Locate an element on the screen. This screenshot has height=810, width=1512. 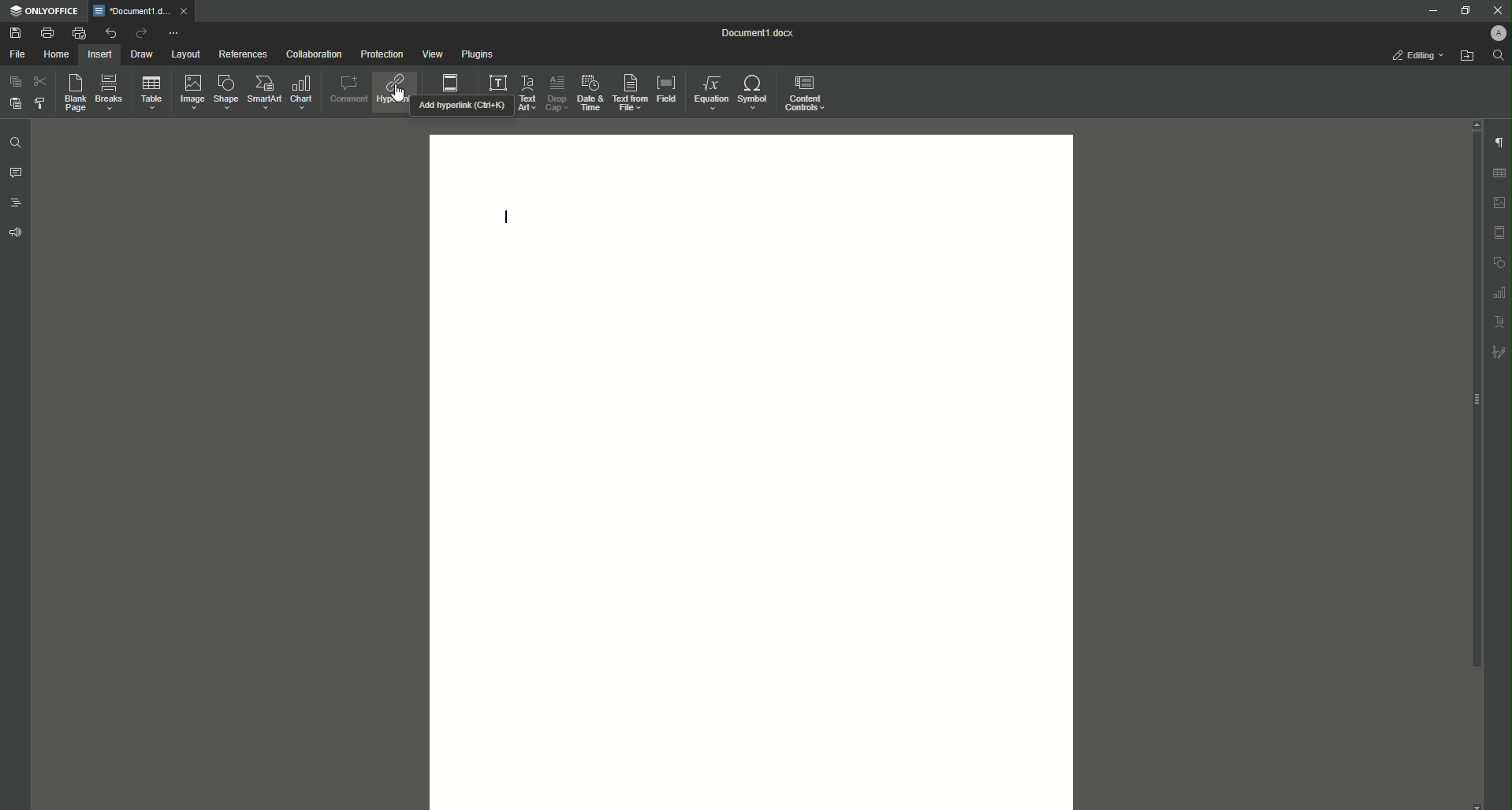
shape settings is located at coordinates (1500, 262).